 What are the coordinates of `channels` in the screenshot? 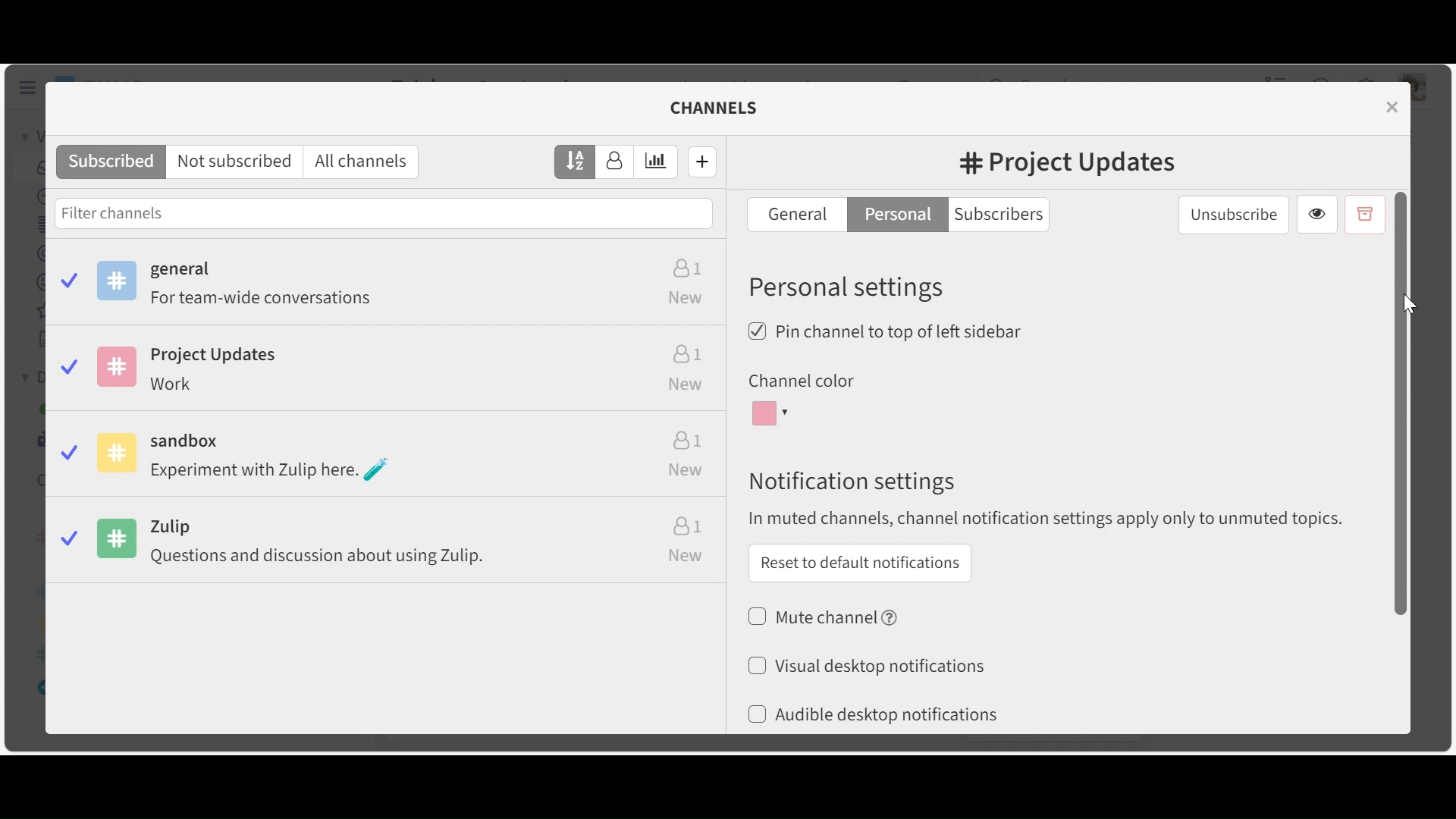 It's located at (723, 108).